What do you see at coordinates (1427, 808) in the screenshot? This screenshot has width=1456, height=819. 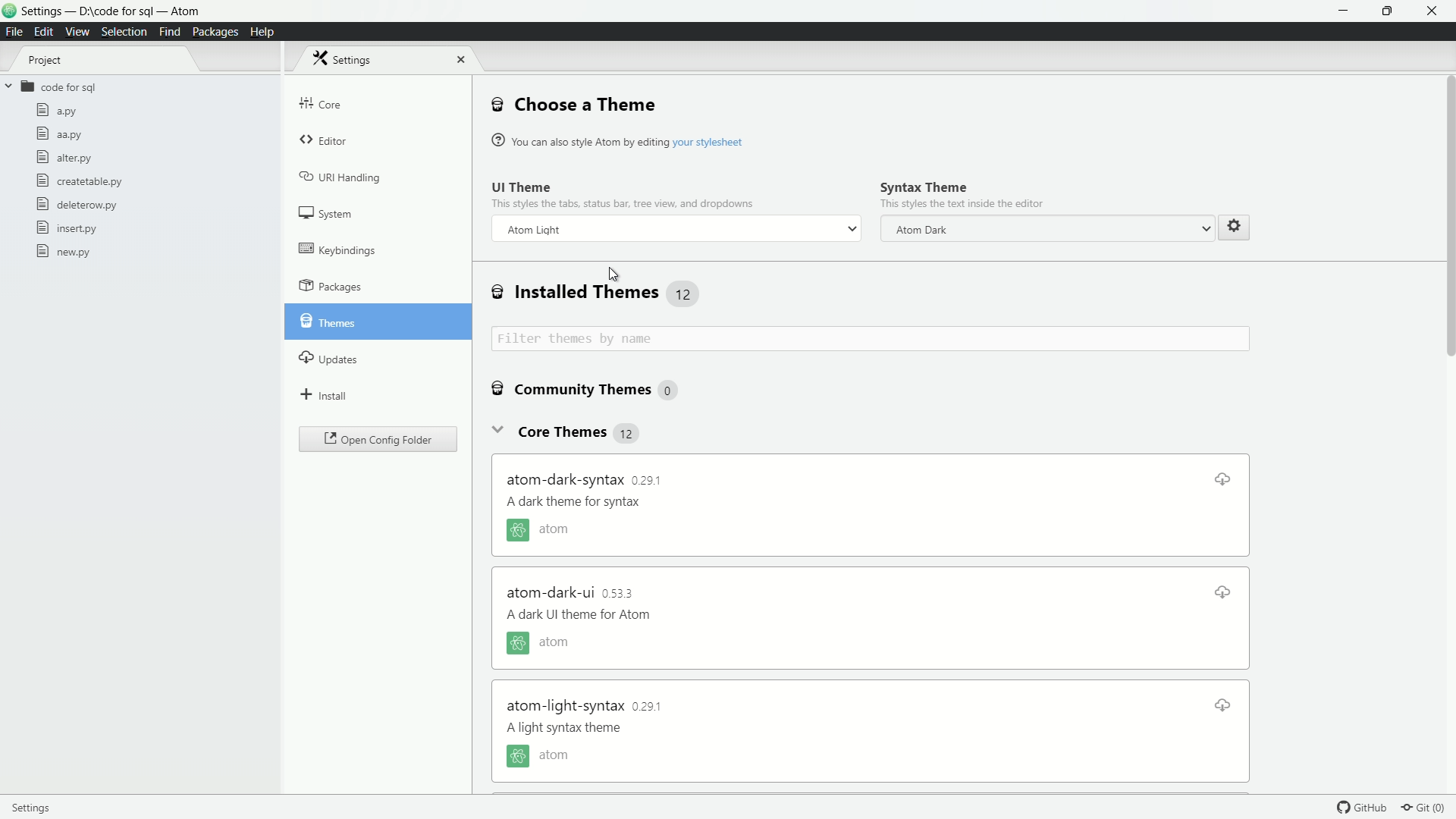 I see `git (0)` at bounding box center [1427, 808].